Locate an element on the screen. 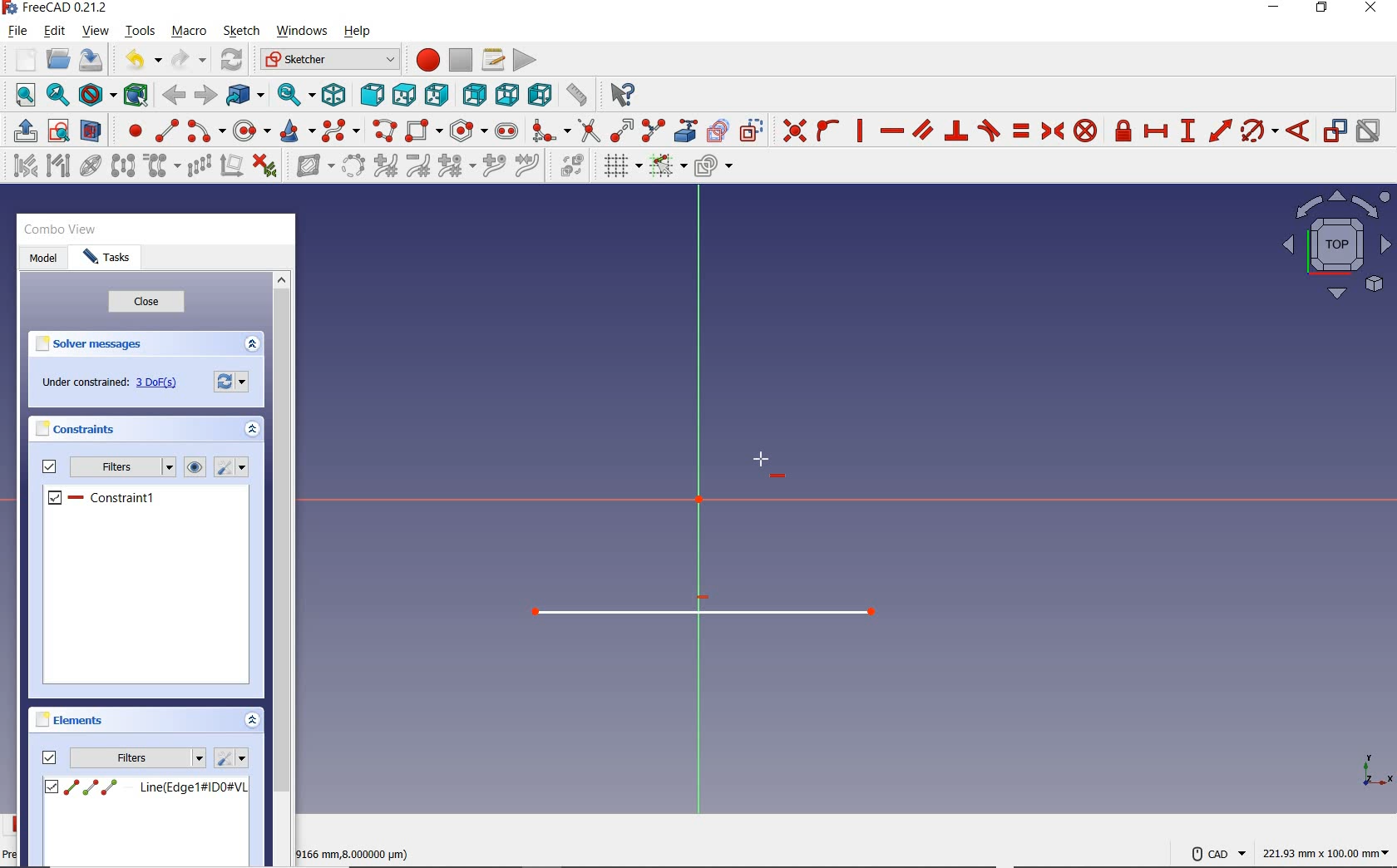 This screenshot has height=868, width=1397. SKETCH is located at coordinates (241, 31).